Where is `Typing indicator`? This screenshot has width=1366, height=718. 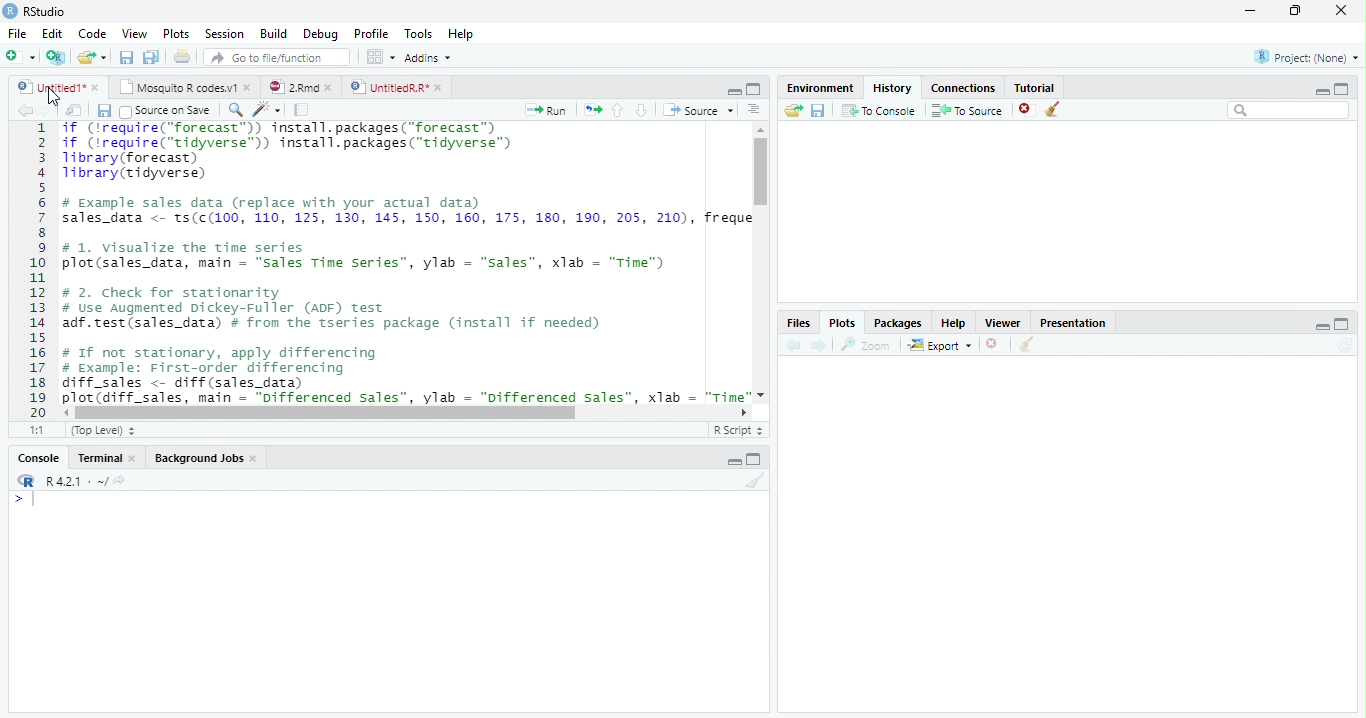
Typing indicator is located at coordinates (28, 502).